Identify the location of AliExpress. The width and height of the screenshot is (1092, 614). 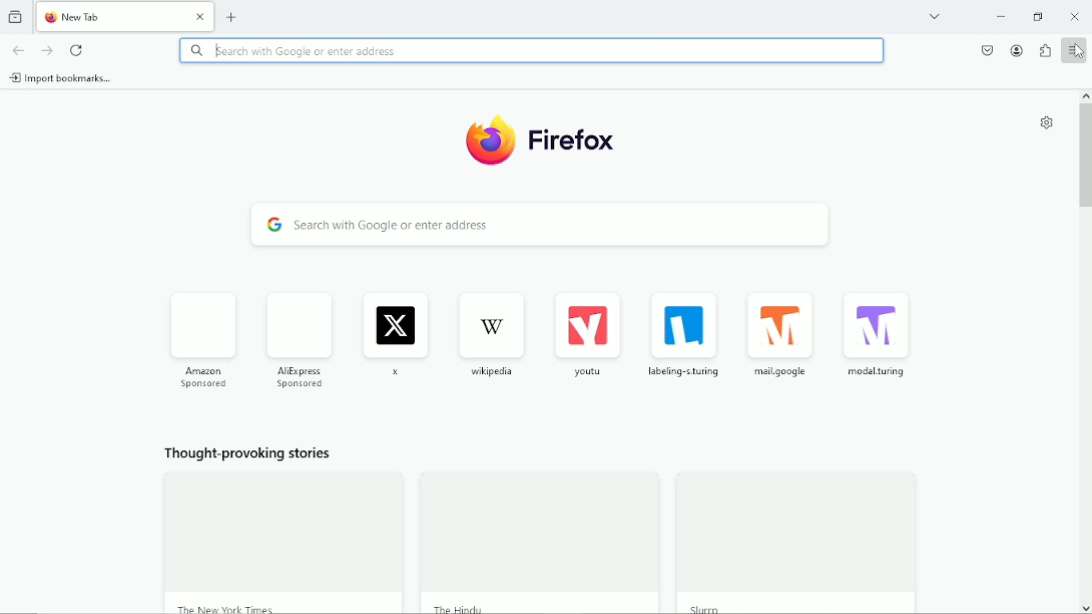
(302, 339).